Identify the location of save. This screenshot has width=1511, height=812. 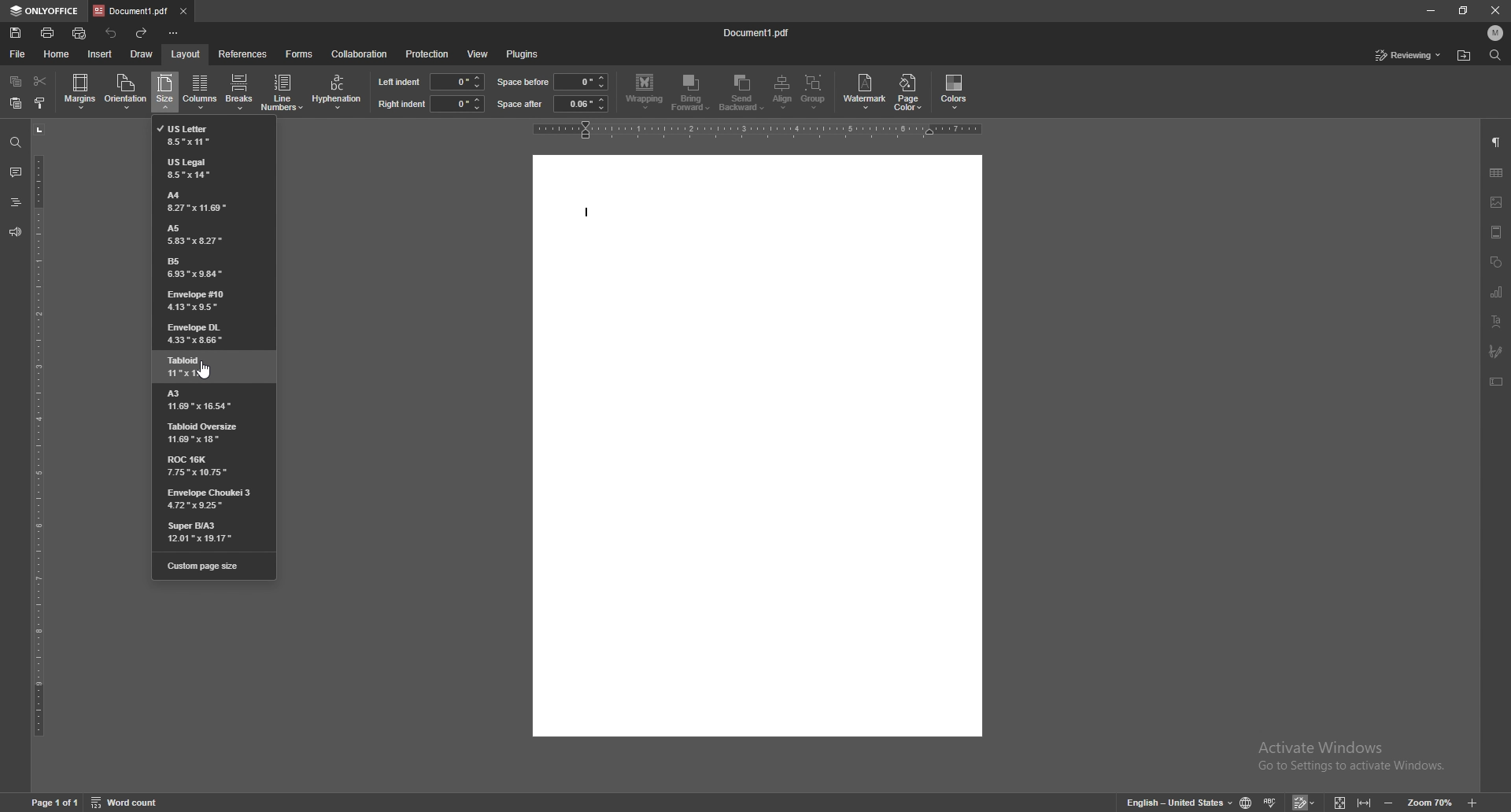
(17, 32).